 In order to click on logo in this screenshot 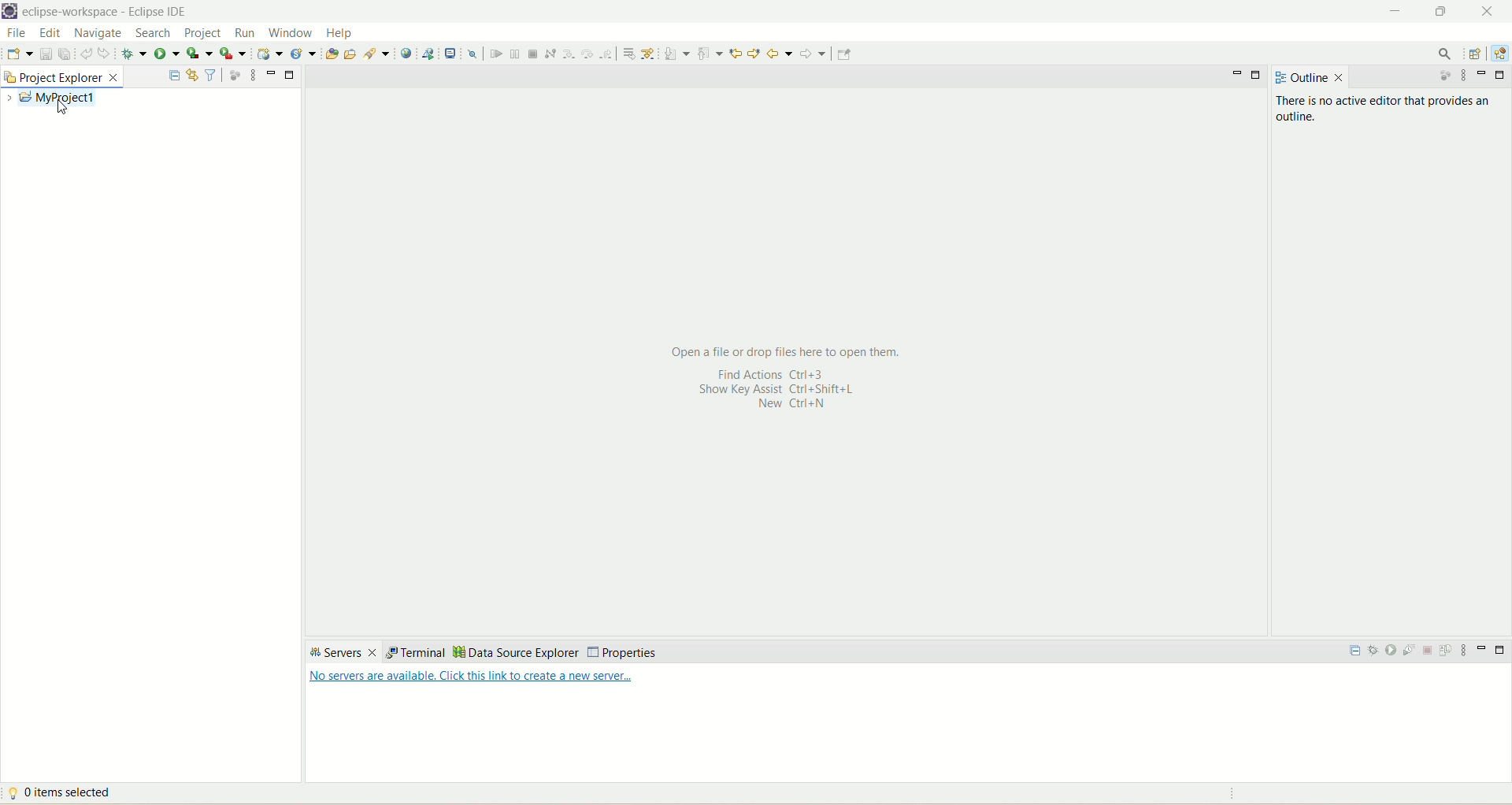, I will do `click(11, 11)`.